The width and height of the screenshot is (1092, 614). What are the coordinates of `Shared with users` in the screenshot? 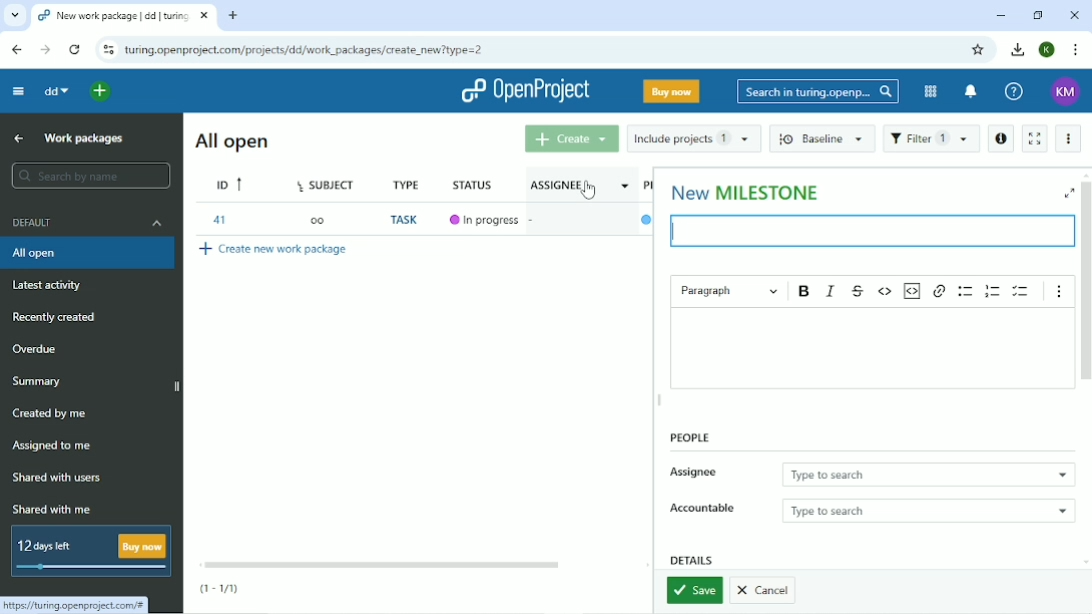 It's located at (57, 479).